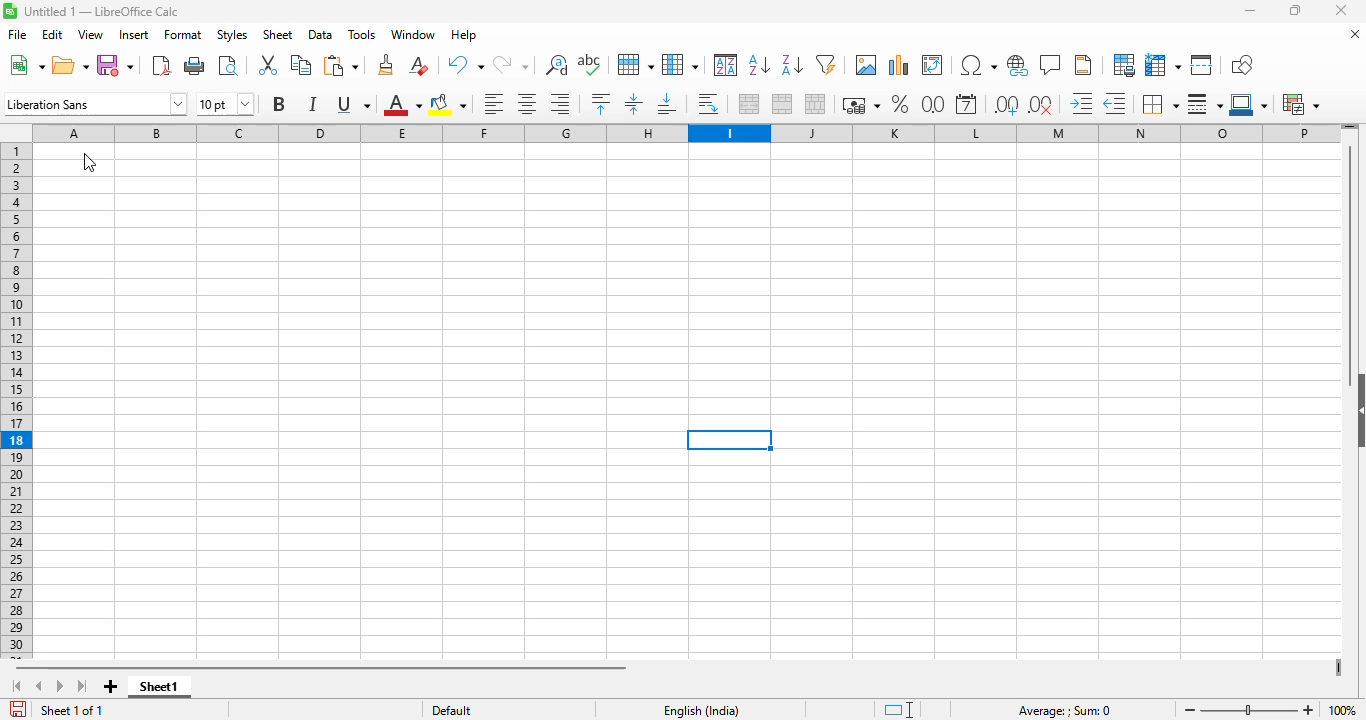  I want to click on print, so click(196, 65).